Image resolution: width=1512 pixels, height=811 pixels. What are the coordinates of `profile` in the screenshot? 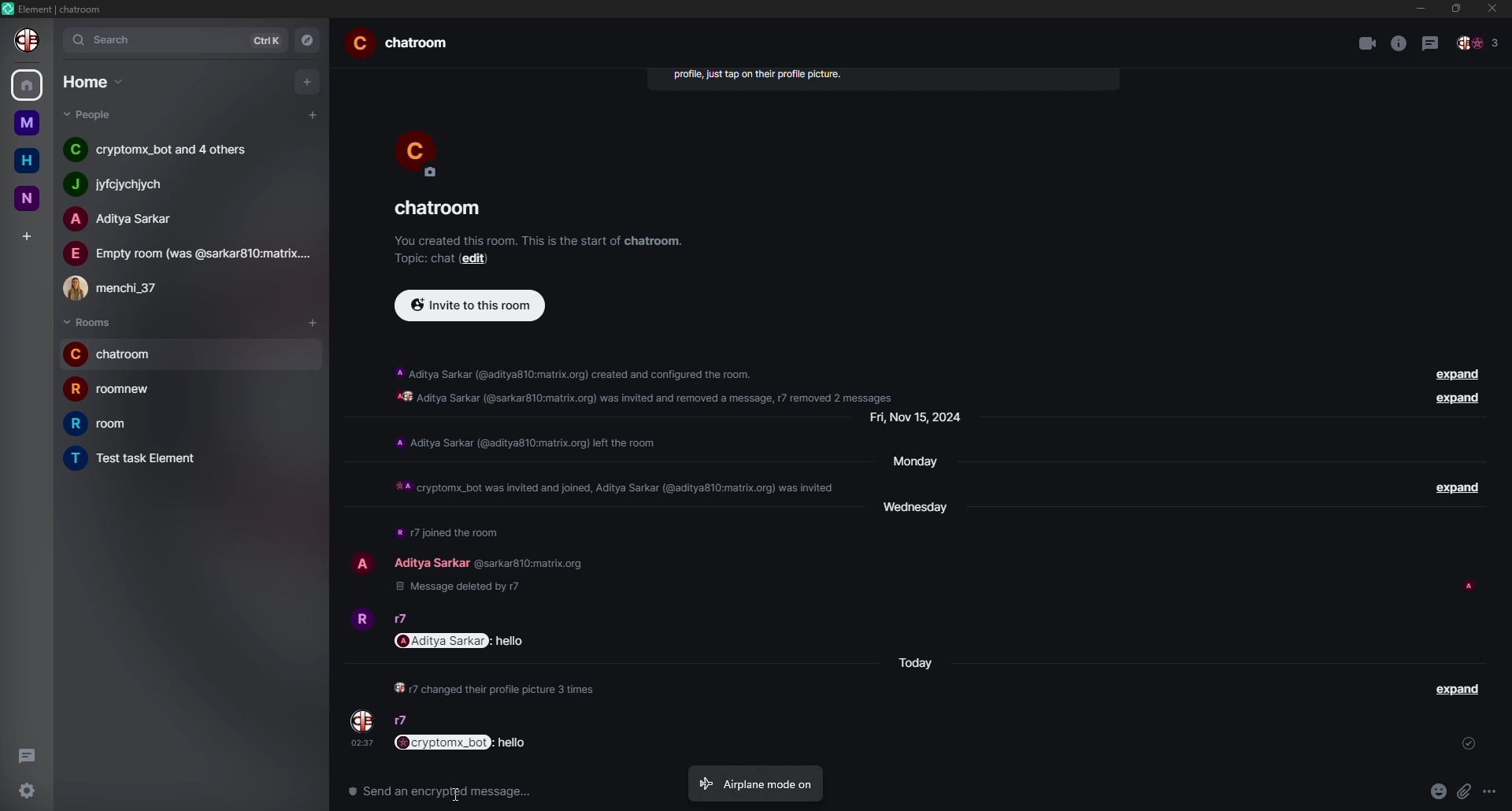 It's located at (360, 620).